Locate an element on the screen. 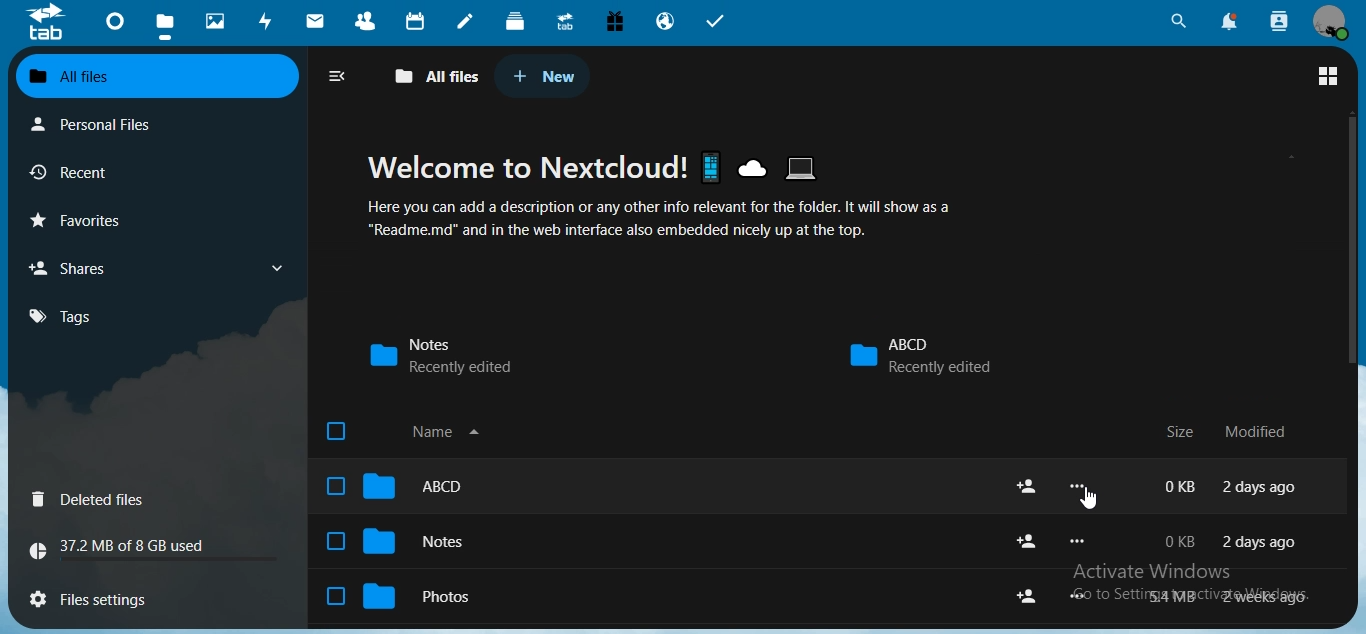 The image size is (1366, 634). share is located at coordinates (1027, 541).